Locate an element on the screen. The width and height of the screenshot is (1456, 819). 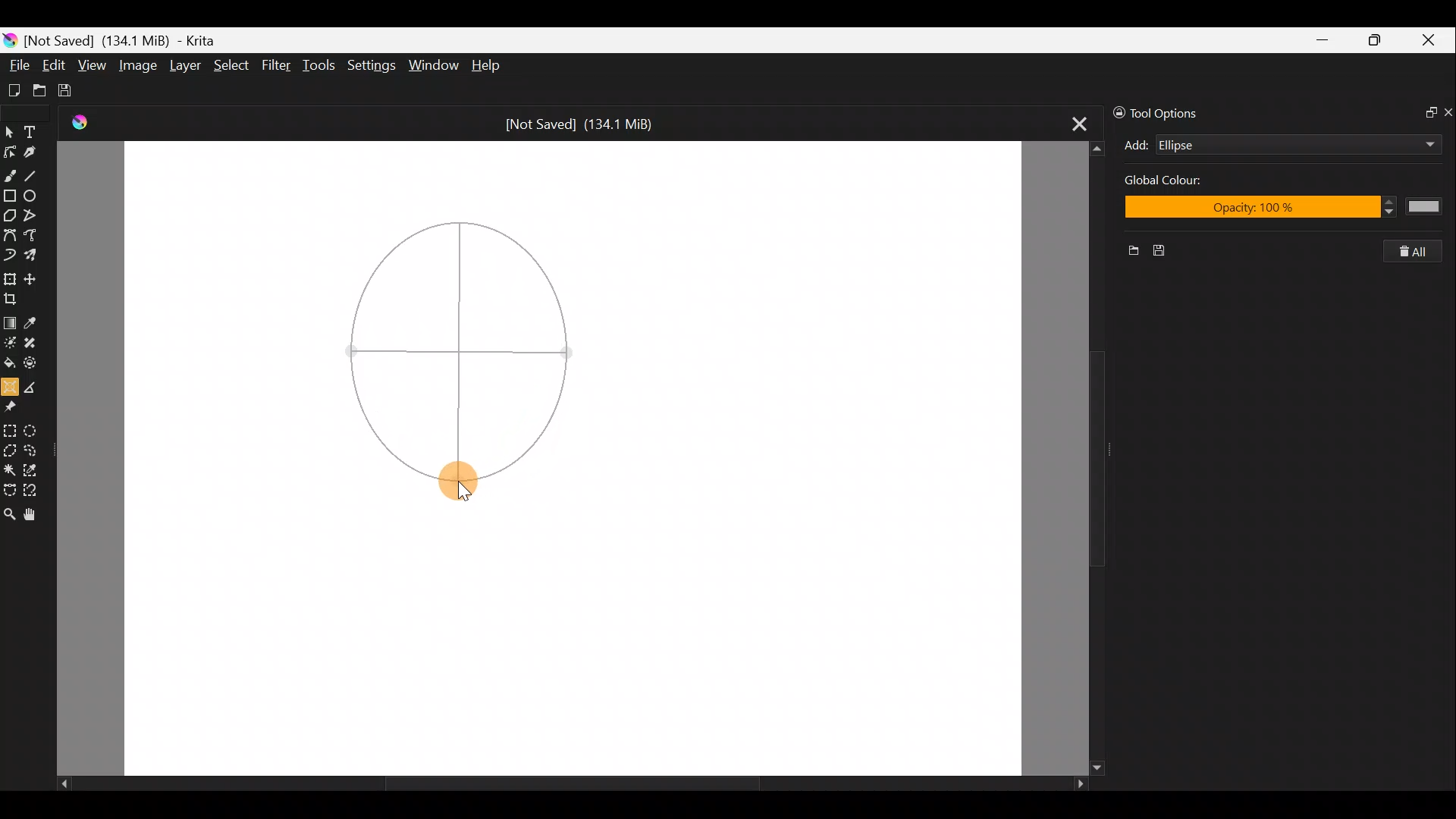
Tool options is located at coordinates (1169, 111).